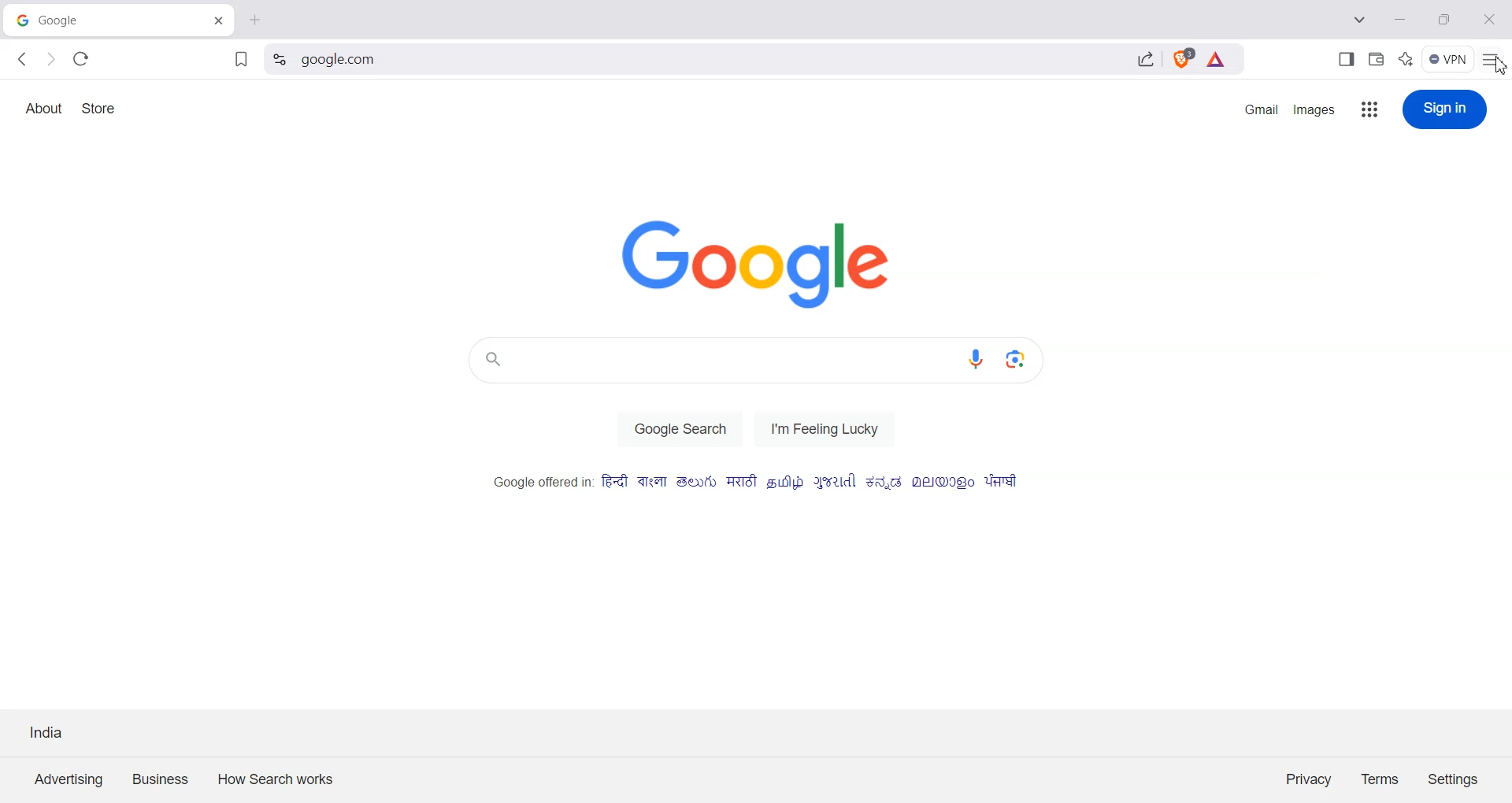 Image resolution: width=1512 pixels, height=803 pixels. What do you see at coordinates (1362, 21) in the screenshot?
I see `Search tab` at bounding box center [1362, 21].